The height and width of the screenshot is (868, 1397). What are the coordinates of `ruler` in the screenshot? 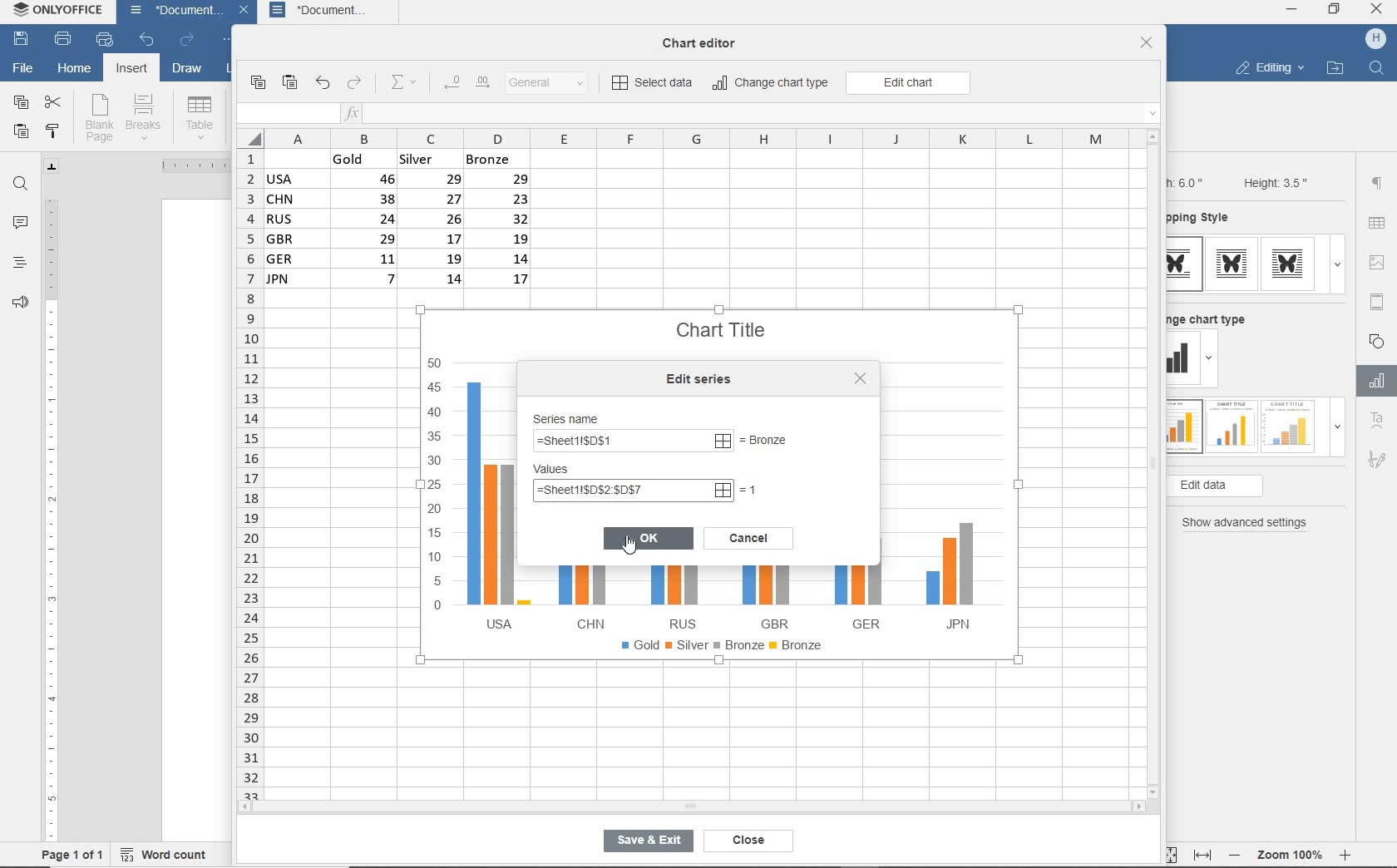 It's located at (187, 165).